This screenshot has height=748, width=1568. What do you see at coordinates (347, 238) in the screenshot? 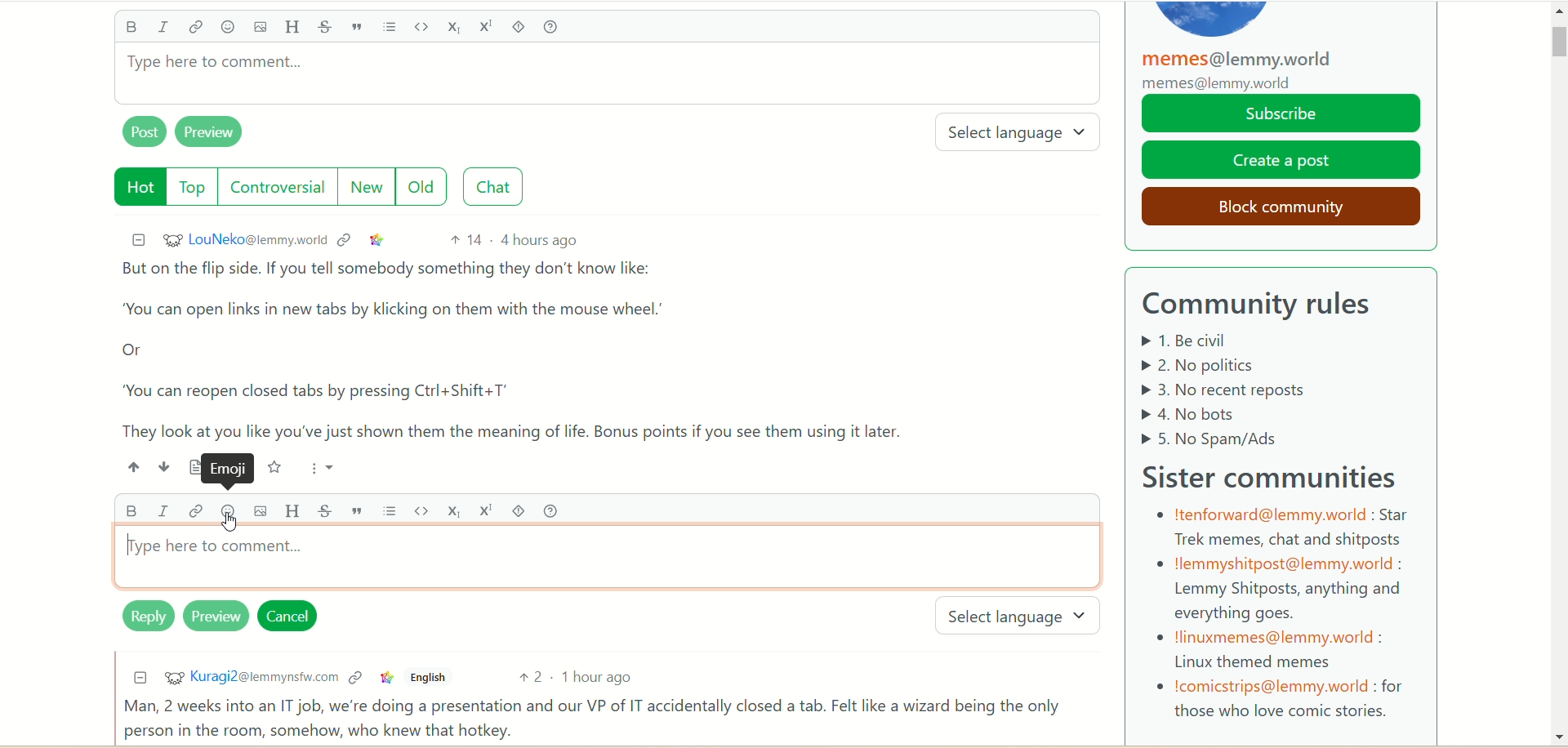
I see `context` at bounding box center [347, 238].